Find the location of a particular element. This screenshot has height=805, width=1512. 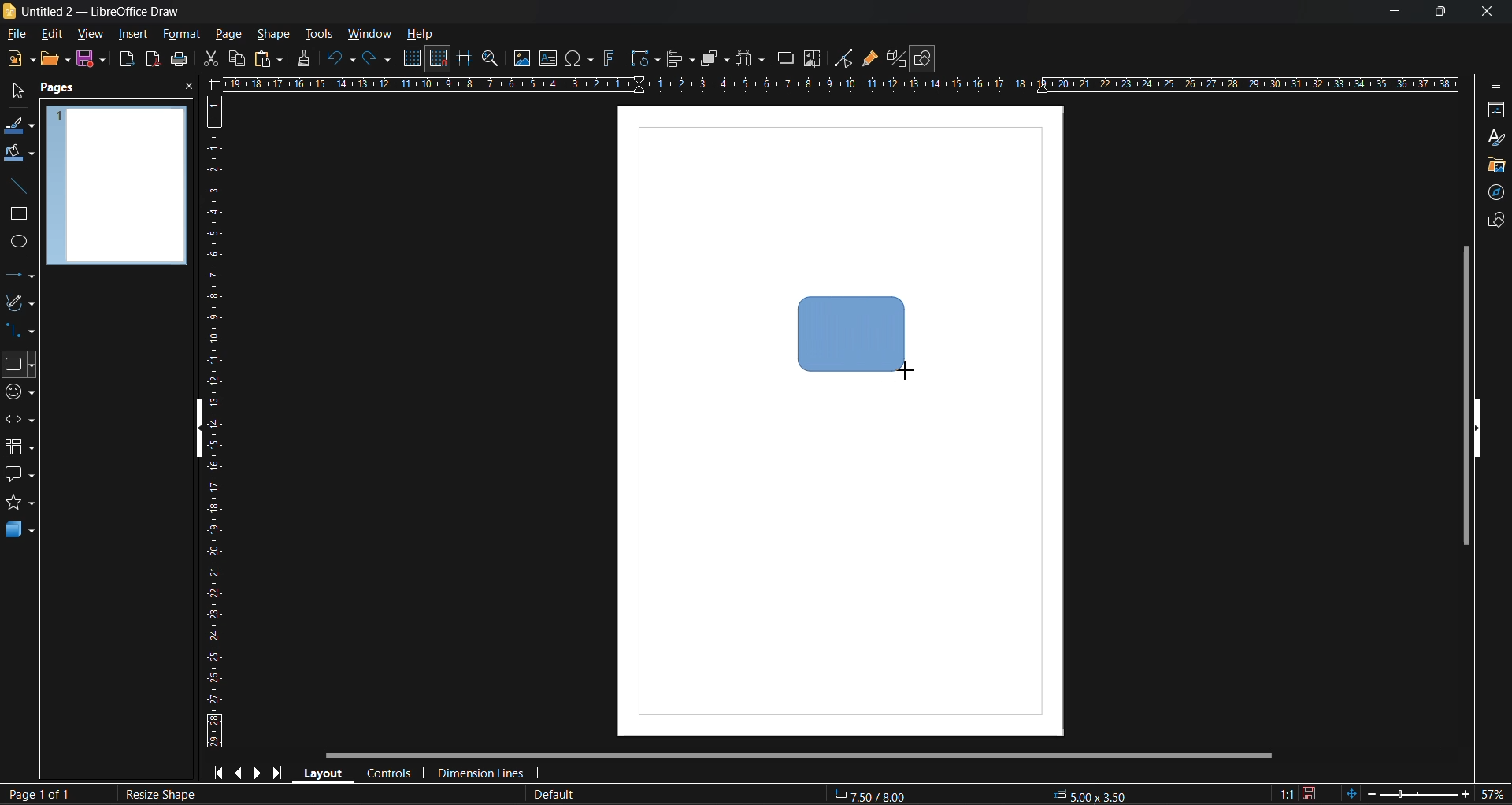

zoom slider is located at coordinates (1416, 793).